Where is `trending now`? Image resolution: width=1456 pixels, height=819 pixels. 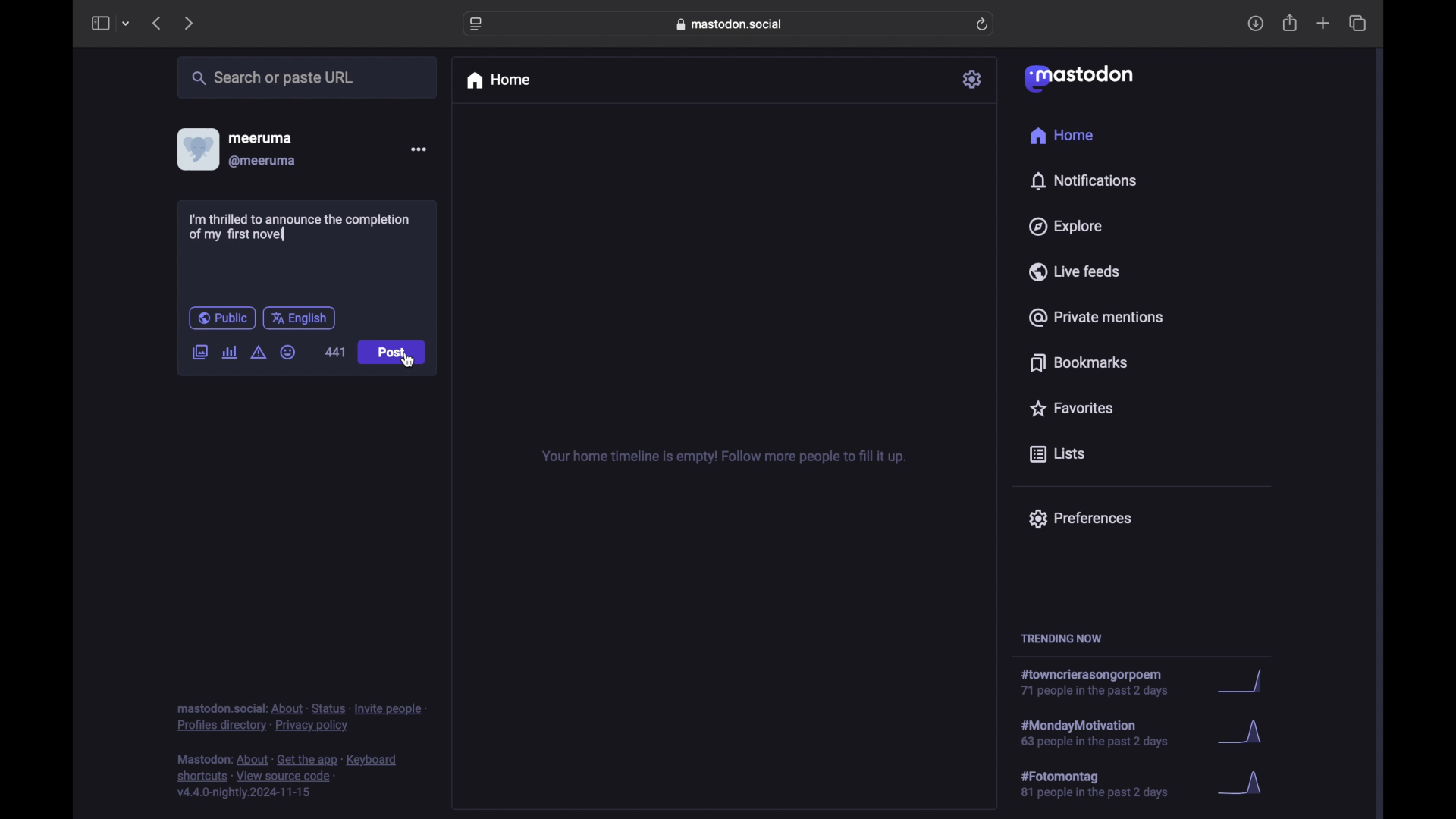 trending now is located at coordinates (1061, 639).